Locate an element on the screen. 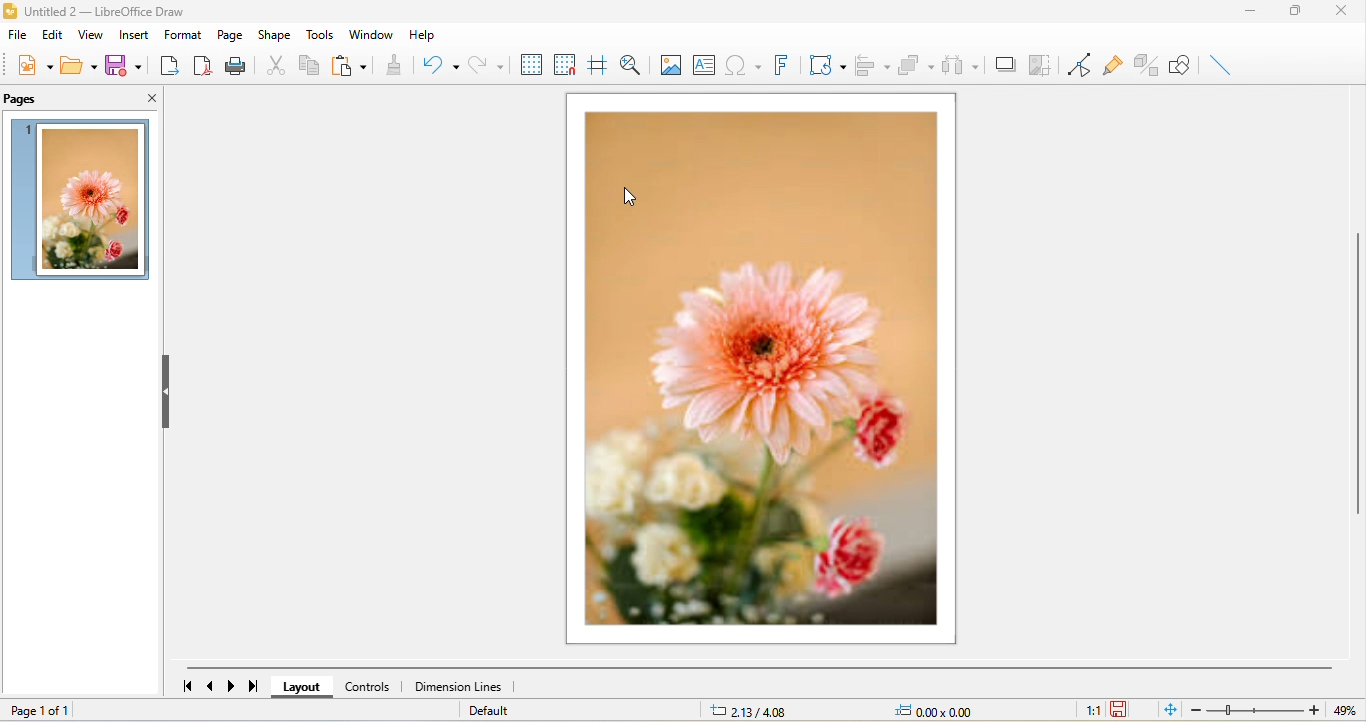 The width and height of the screenshot is (1366, 722). hide is located at coordinates (169, 394).